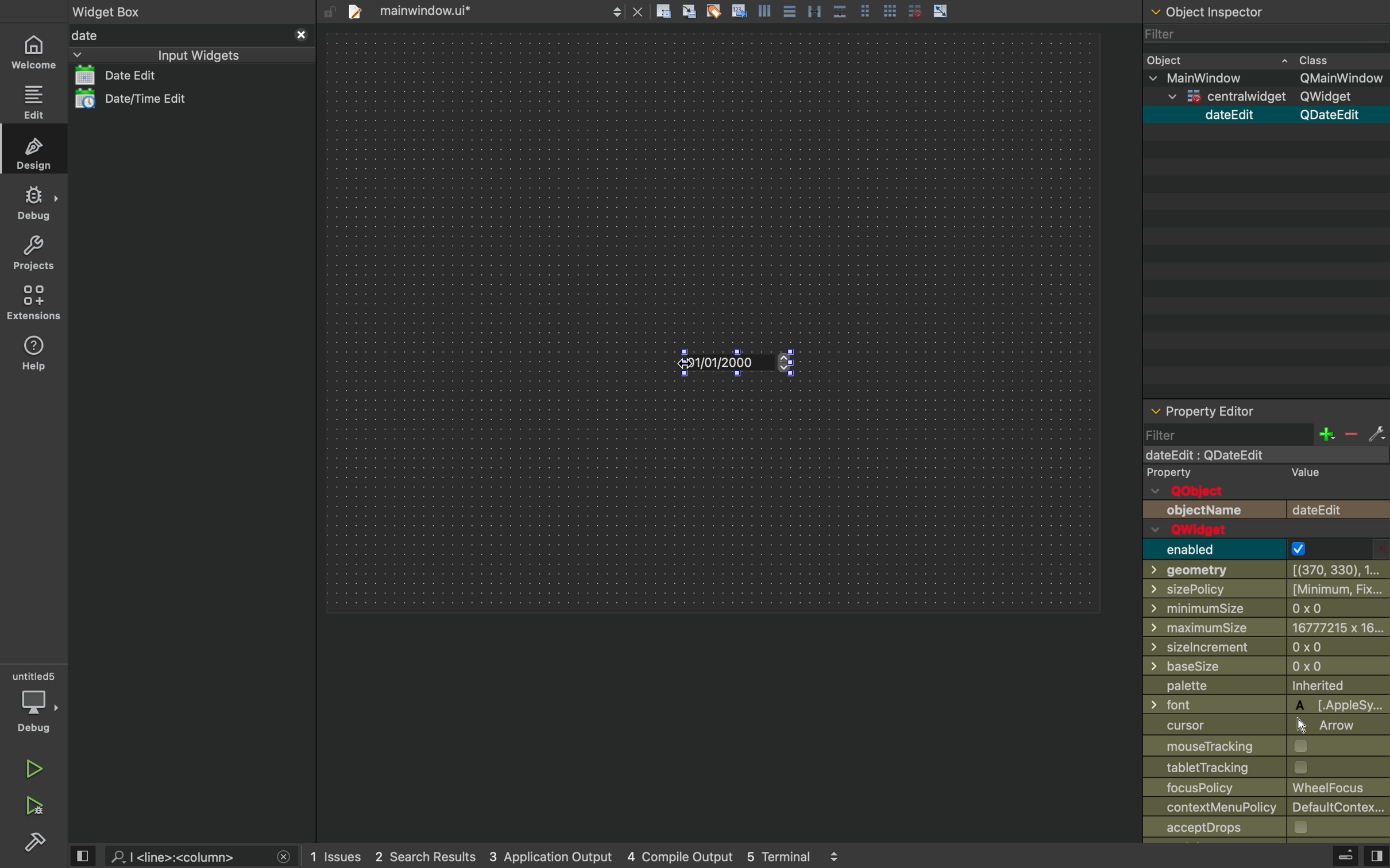  Describe the element at coordinates (1261, 610) in the screenshot. I see `minimussize` at that location.